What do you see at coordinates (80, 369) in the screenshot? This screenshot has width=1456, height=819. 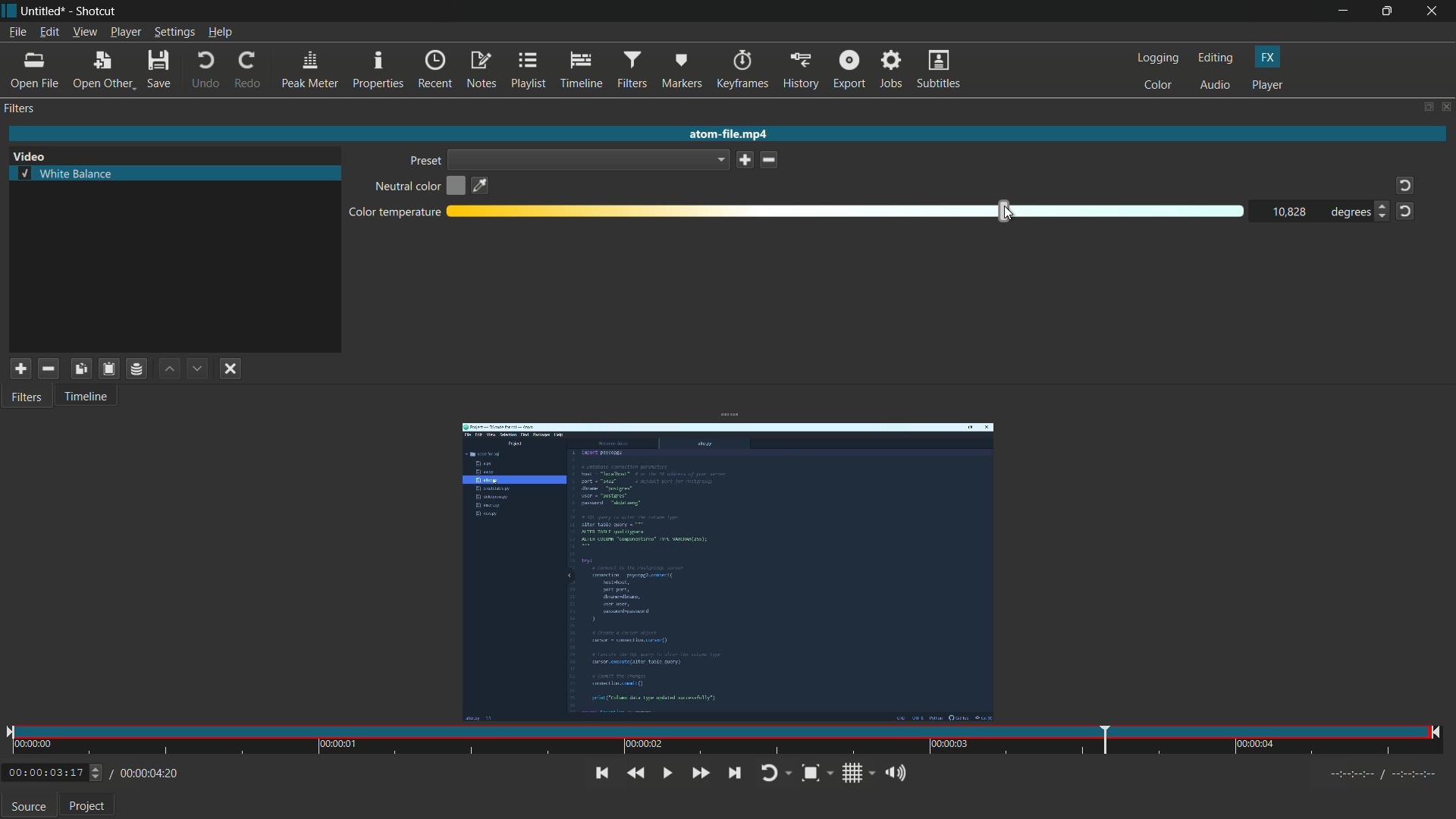 I see `copy checked filter` at bounding box center [80, 369].